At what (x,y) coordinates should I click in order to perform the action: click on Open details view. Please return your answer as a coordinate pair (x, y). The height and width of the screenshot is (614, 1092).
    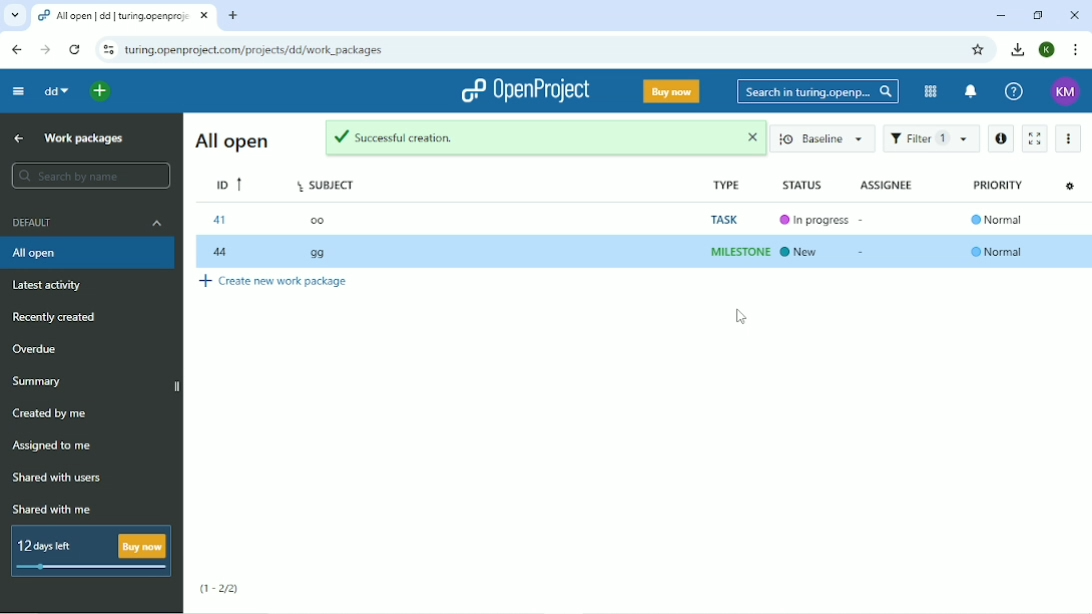
    Looking at the image, I should click on (1001, 138).